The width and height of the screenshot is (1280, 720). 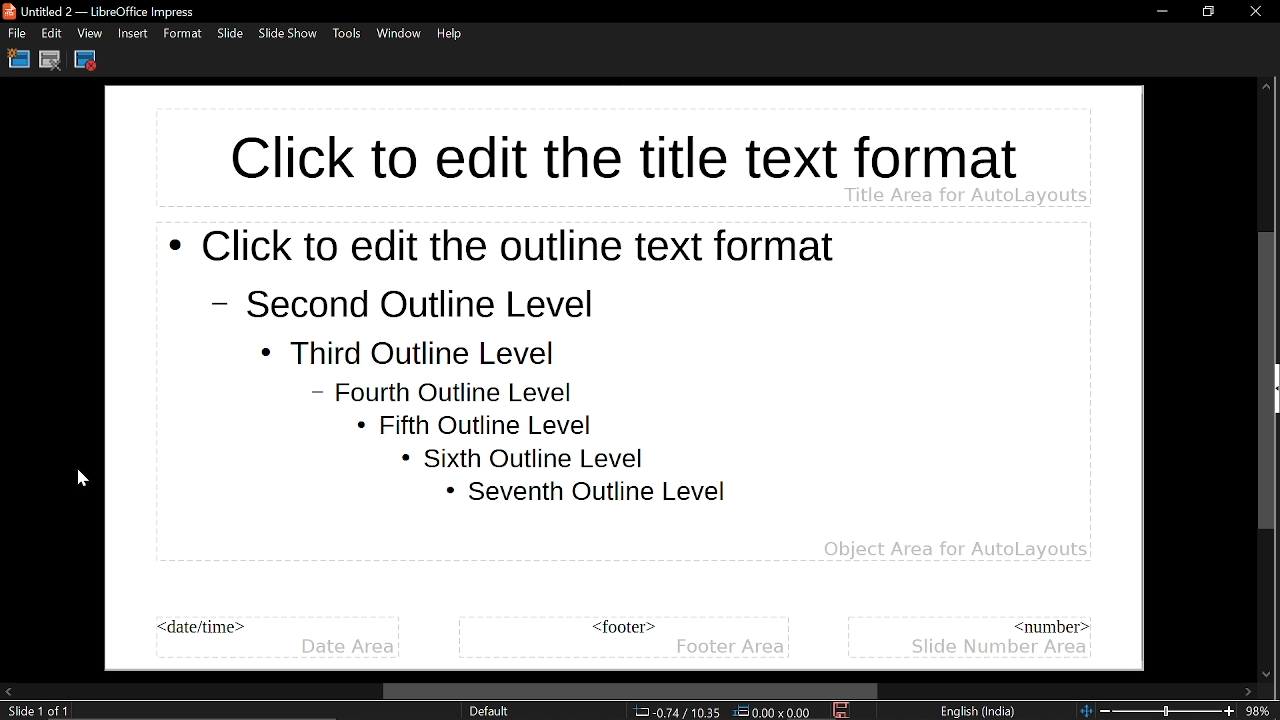 I want to click on current zoom, so click(x=1262, y=712).